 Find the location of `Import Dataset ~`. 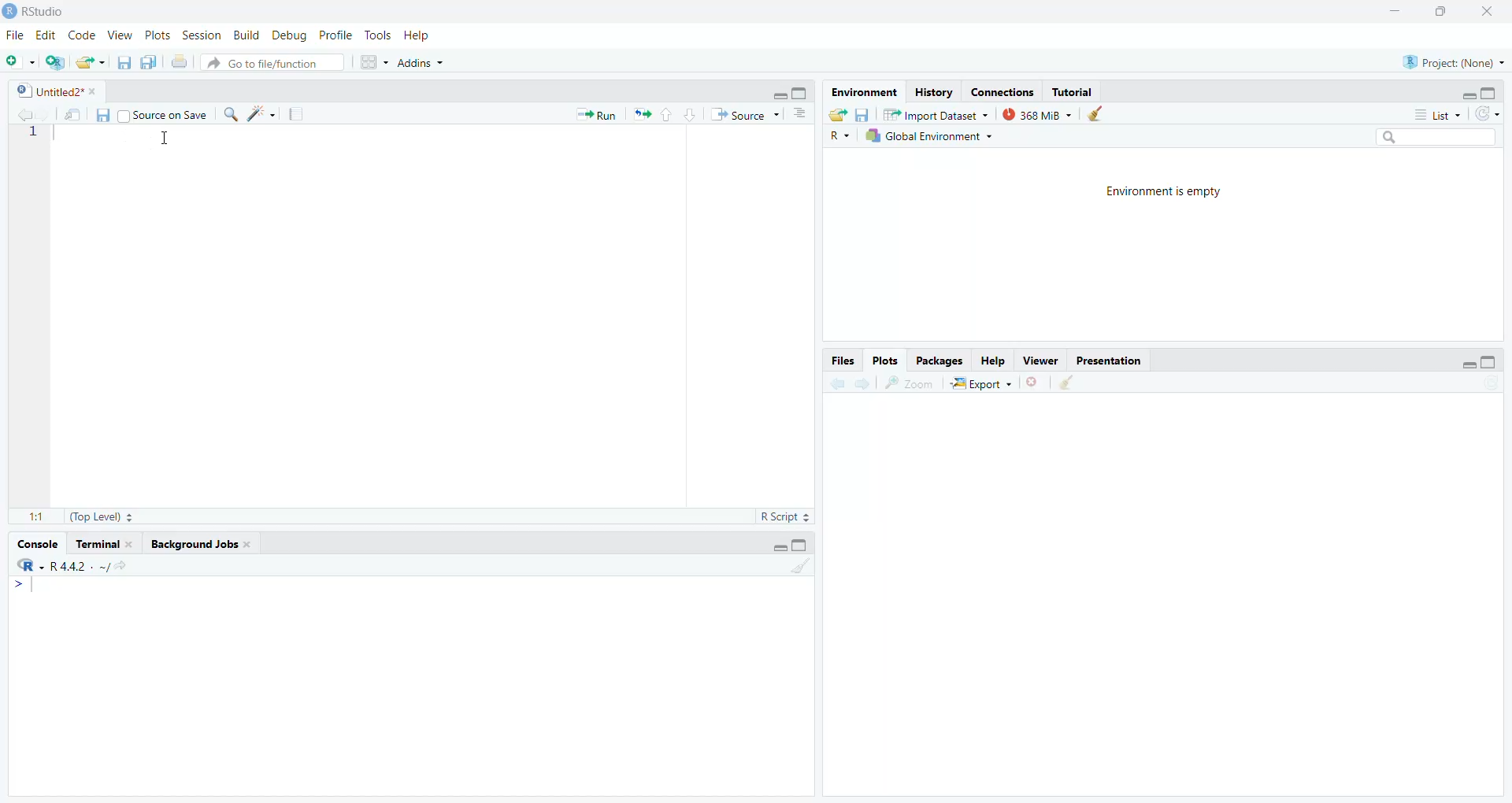

Import Dataset ~ is located at coordinates (937, 117).